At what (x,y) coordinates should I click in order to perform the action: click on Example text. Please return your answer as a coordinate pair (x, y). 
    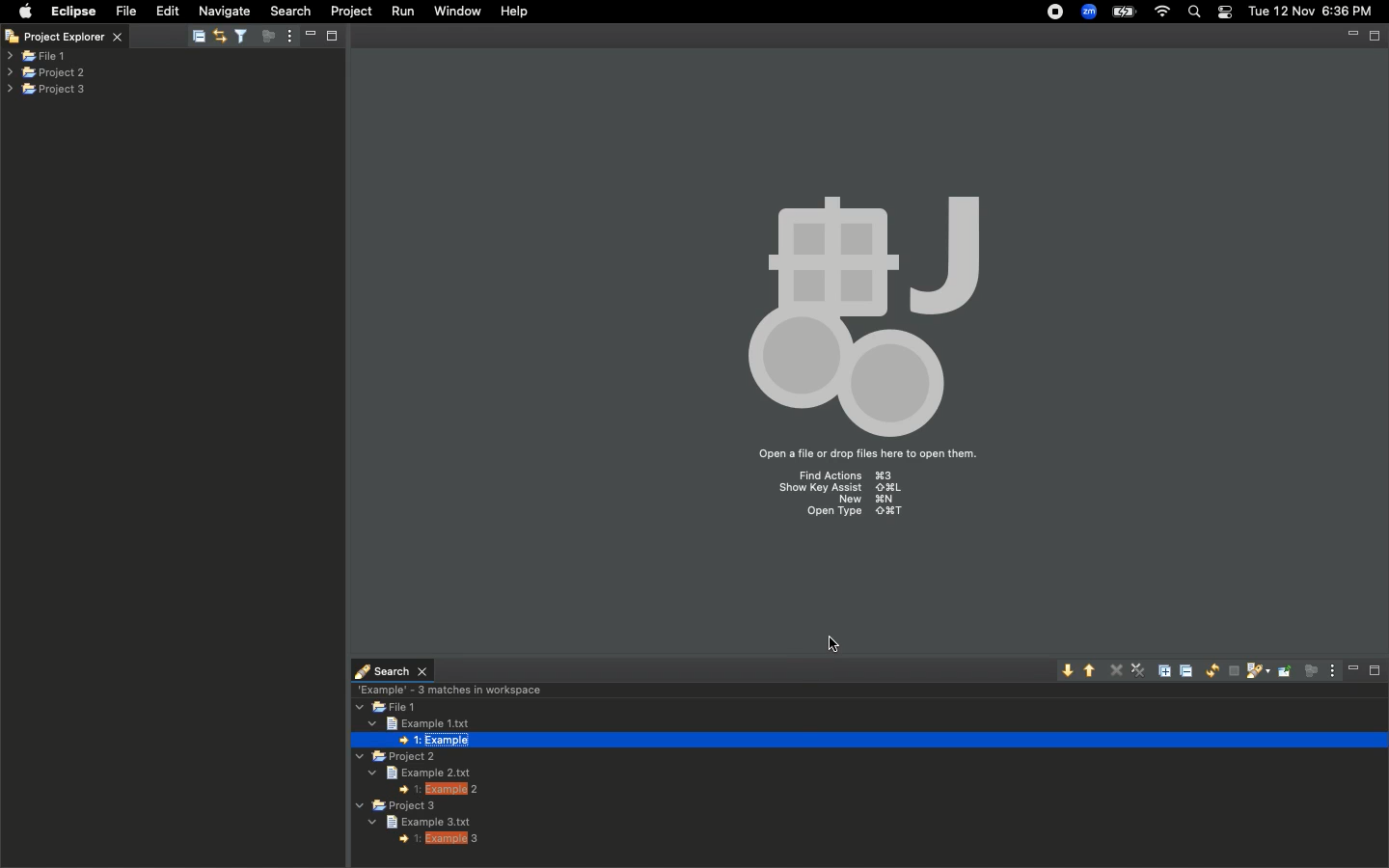
    Looking at the image, I should click on (422, 773).